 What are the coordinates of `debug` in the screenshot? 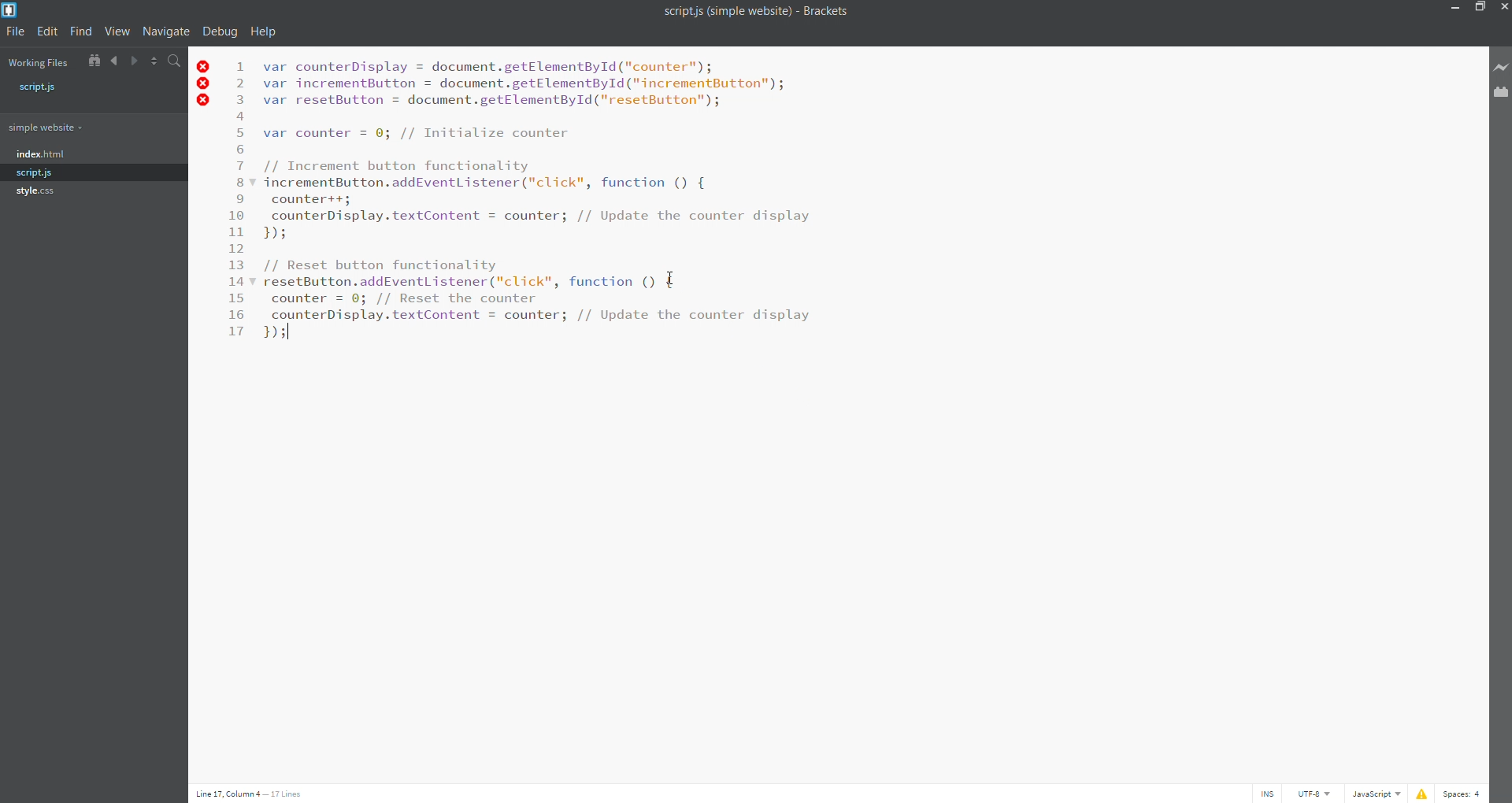 It's located at (220, 32).